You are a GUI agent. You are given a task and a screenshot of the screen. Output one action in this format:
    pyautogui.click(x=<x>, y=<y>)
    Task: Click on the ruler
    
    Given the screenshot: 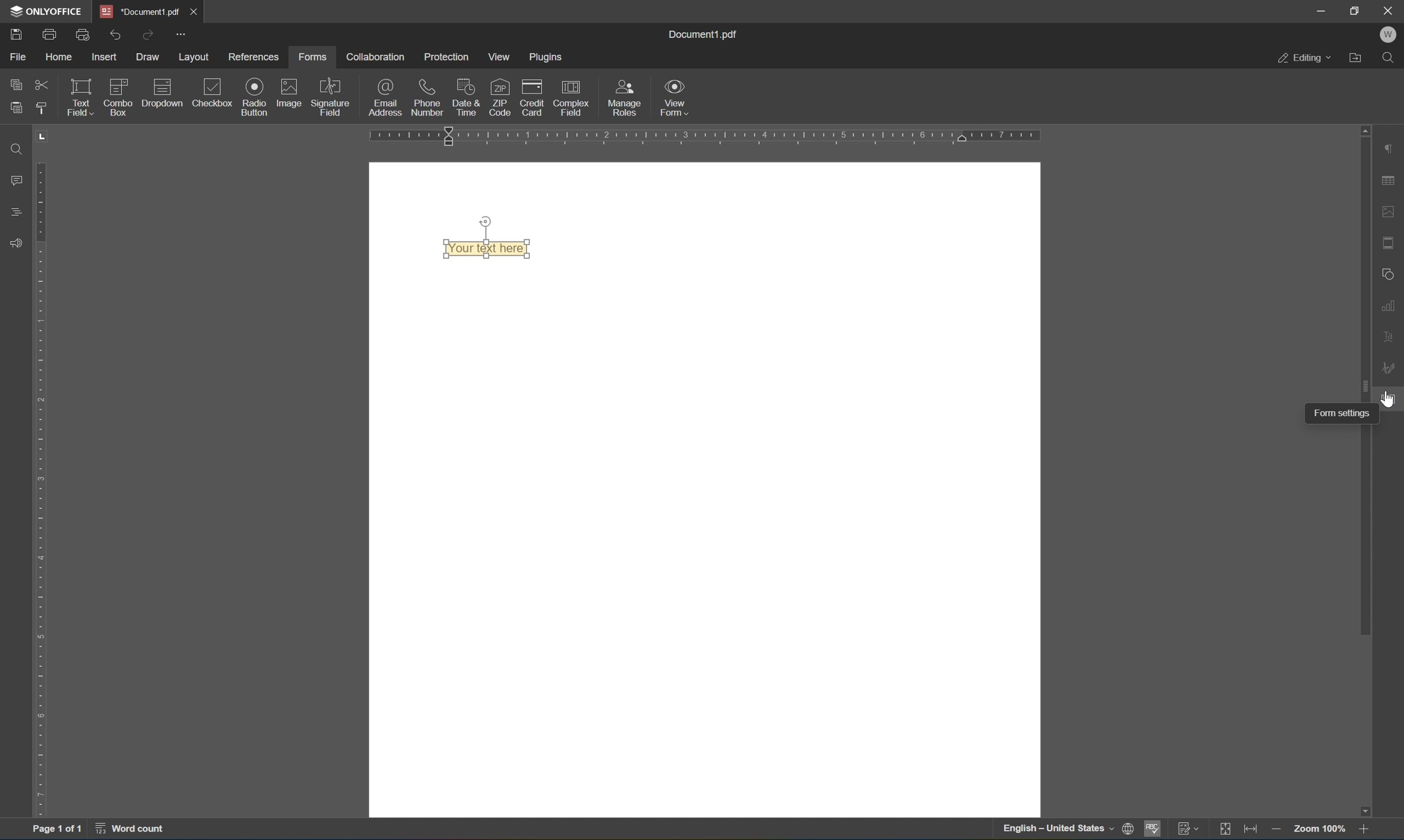 What is the action you would take?
    pyautogui.click(x=44, y=488)
    